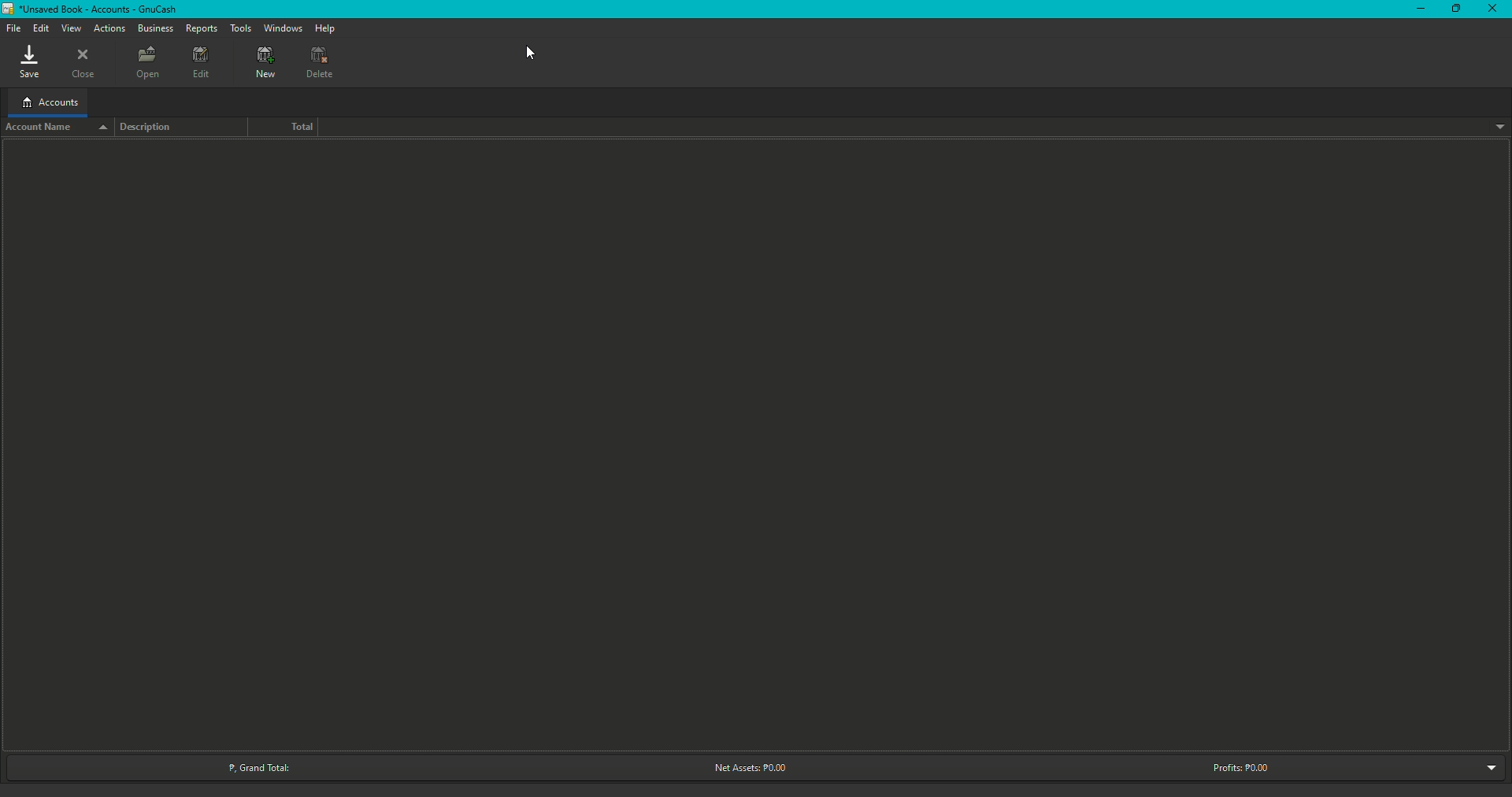 This screenshot has width=1512, height=797. I want to click on Edit, so click(42, 28).